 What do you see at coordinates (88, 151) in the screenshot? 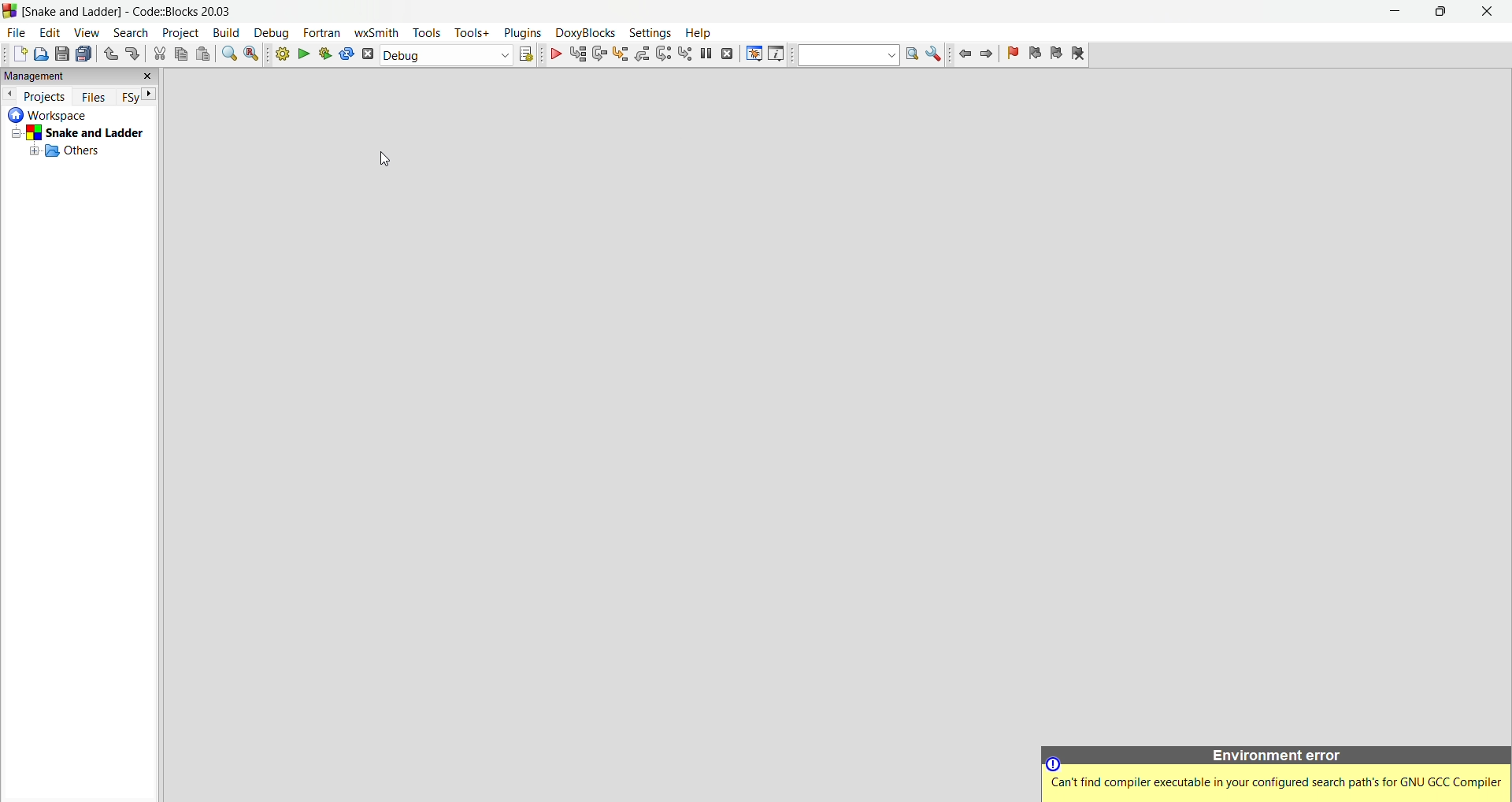
I see `folder in snake and ladder project` at bounding box center [88, 151].